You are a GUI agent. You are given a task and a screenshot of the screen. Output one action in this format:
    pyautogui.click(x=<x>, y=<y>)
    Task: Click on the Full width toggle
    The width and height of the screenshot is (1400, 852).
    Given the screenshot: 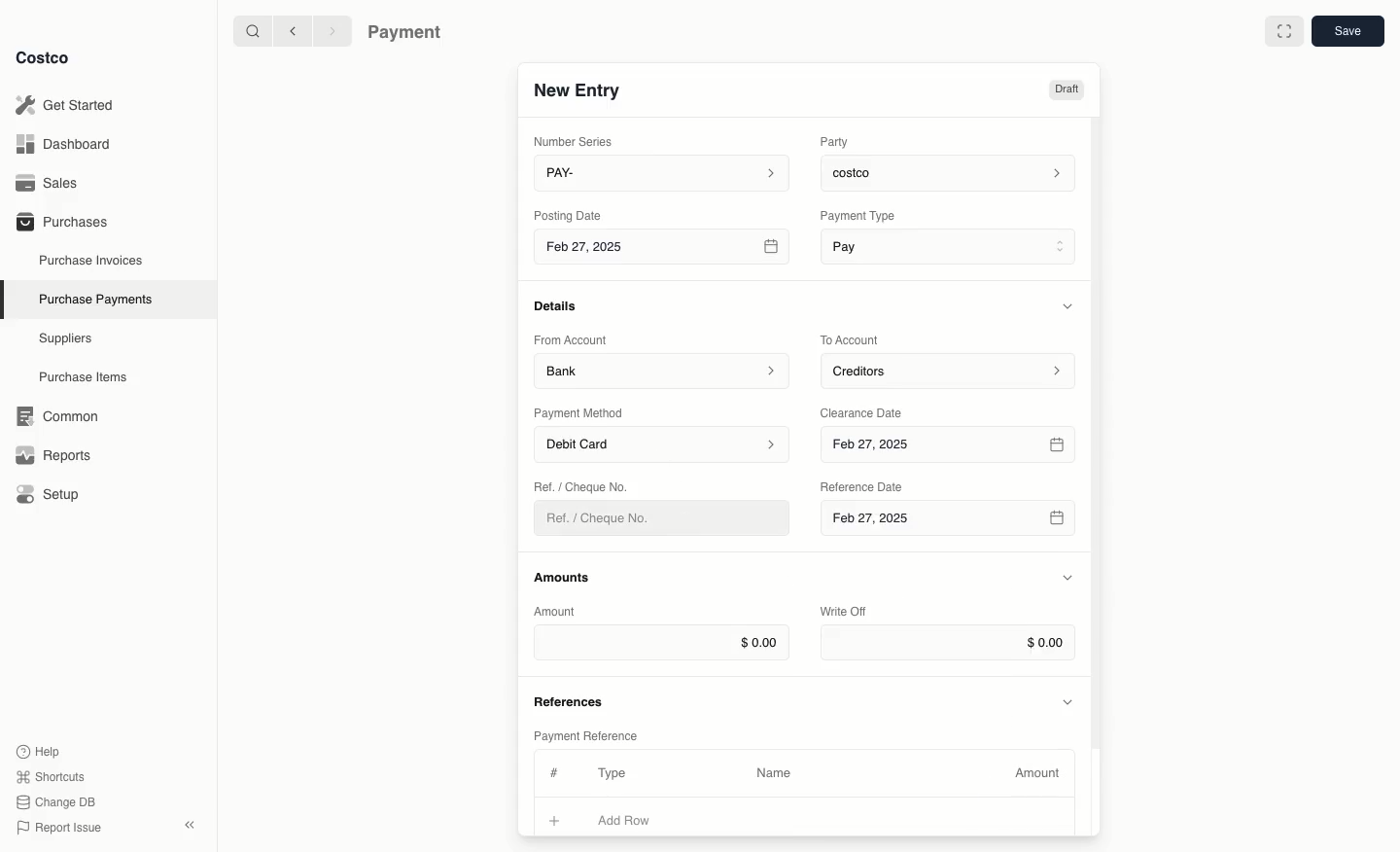 What is the action you would take?
    pyautogui.click(x=1284, y=34)
    